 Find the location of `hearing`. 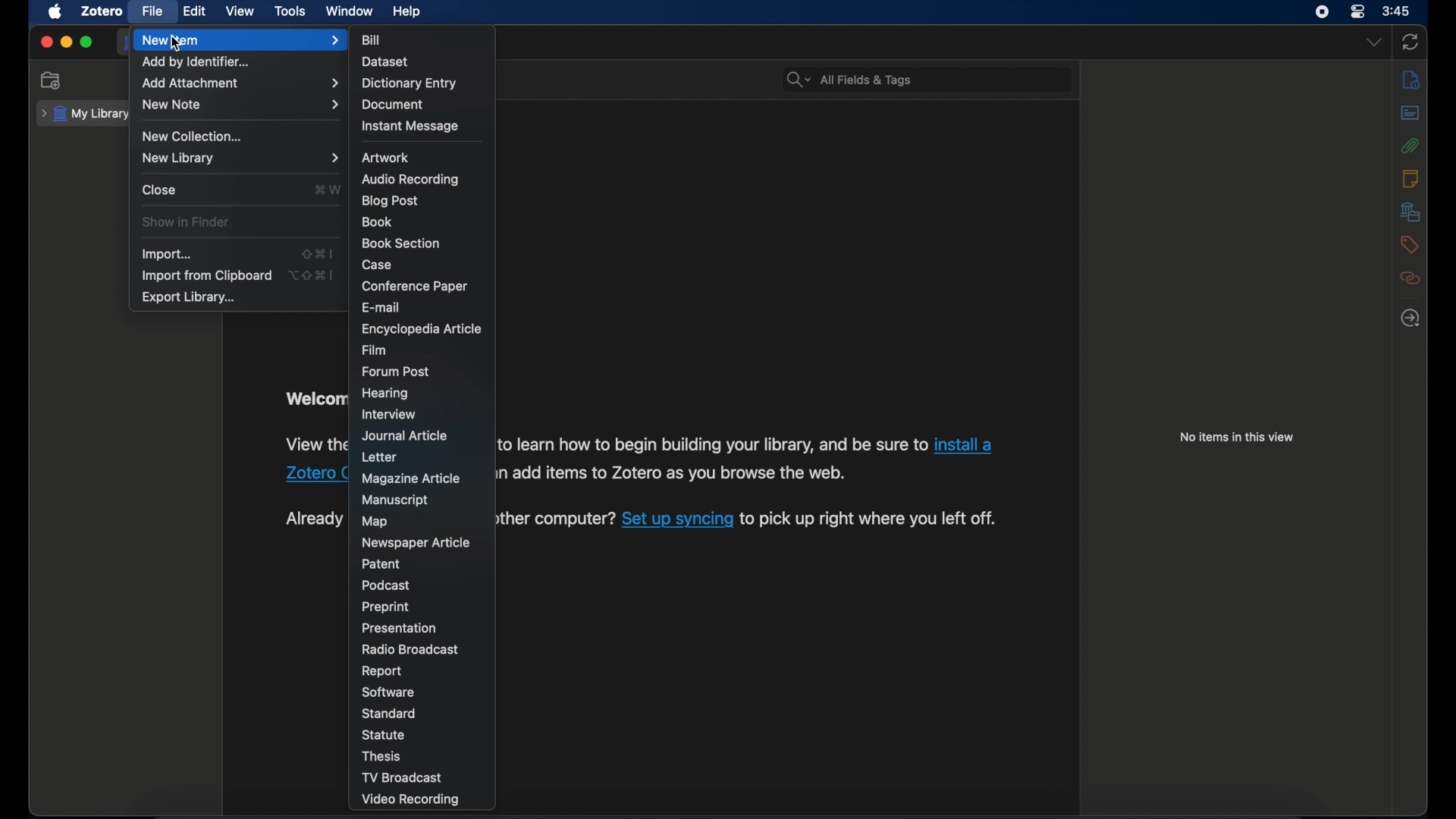

hearing is located at coordinates (387, 394).